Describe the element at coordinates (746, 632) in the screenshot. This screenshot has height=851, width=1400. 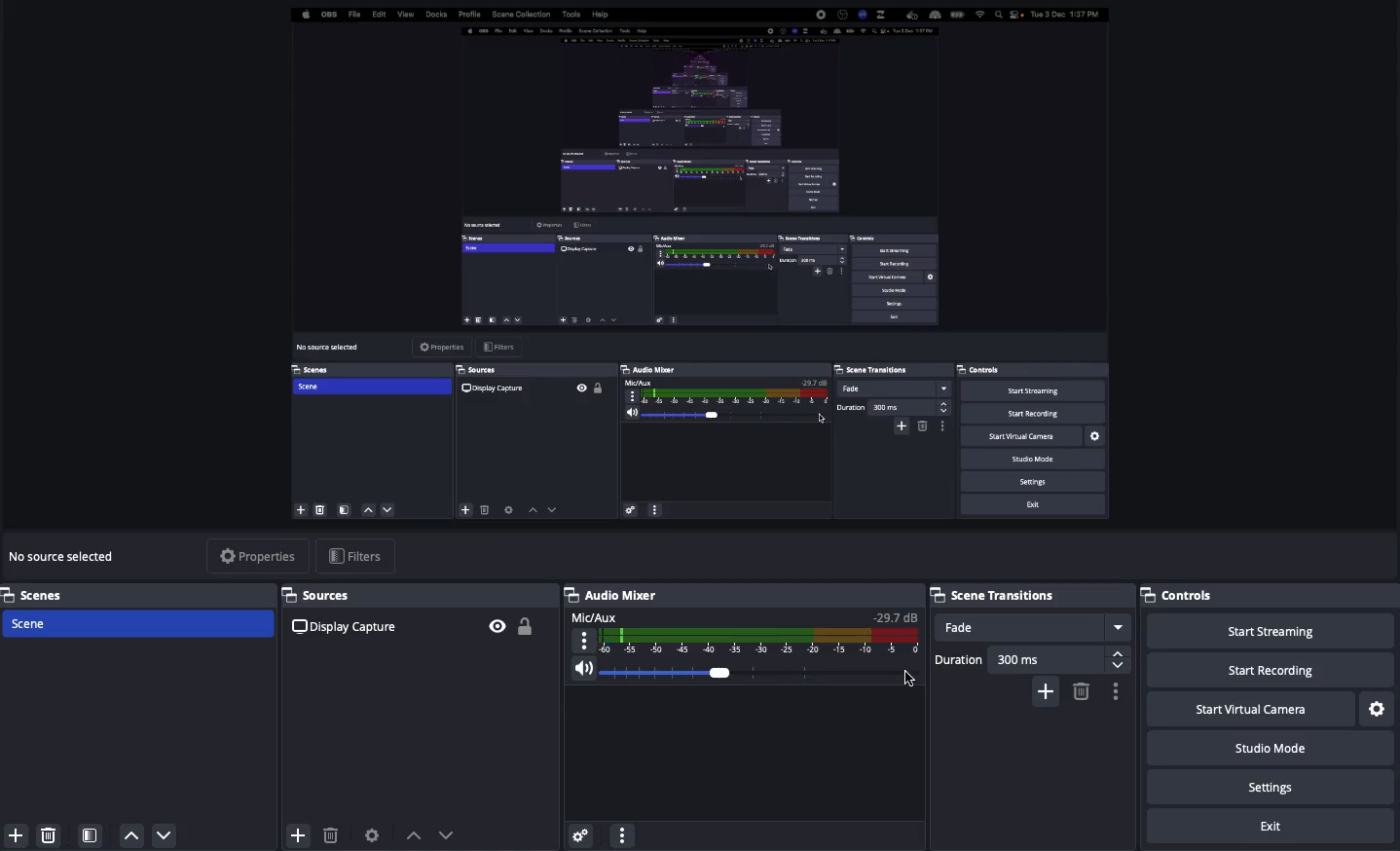
I see `Mic/aux` at that location.